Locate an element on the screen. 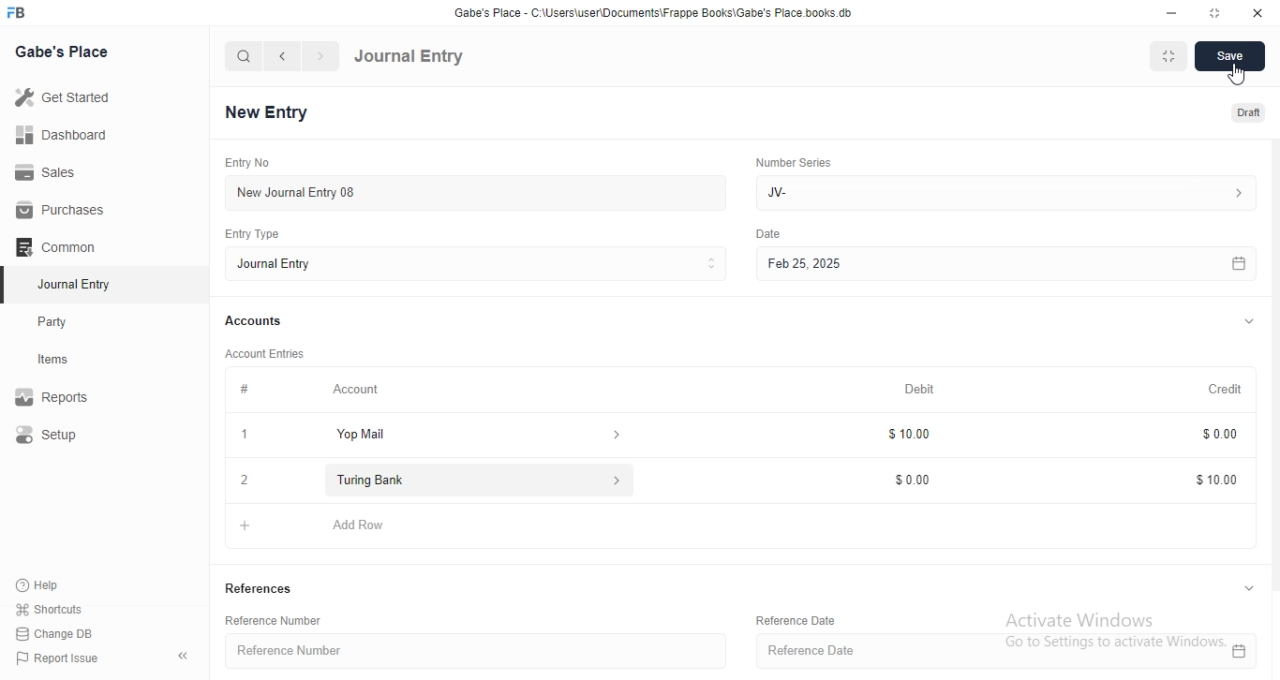 This screenshot has height=680, width=1280. Setup is located at coordinates (68, 436).